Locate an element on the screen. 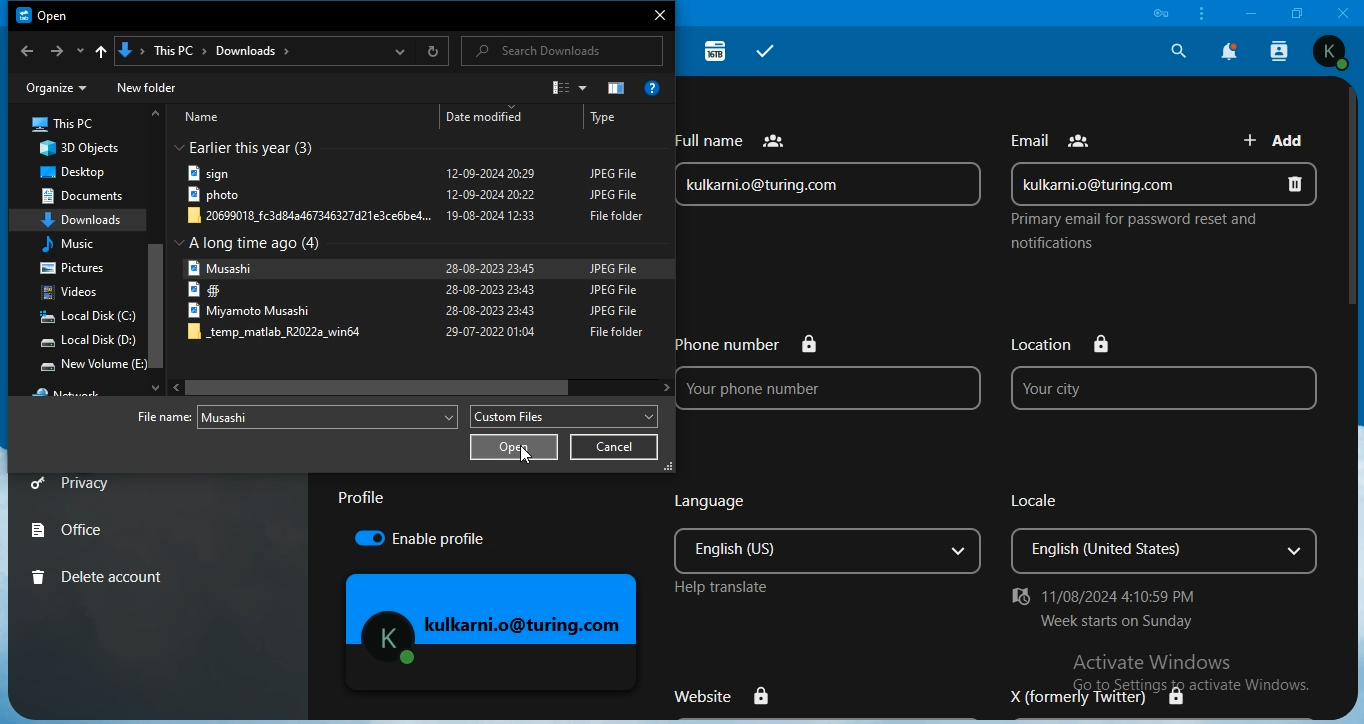 The width and height of the screenshot is (1364, 724). ile is located at coordinates (414, 216).